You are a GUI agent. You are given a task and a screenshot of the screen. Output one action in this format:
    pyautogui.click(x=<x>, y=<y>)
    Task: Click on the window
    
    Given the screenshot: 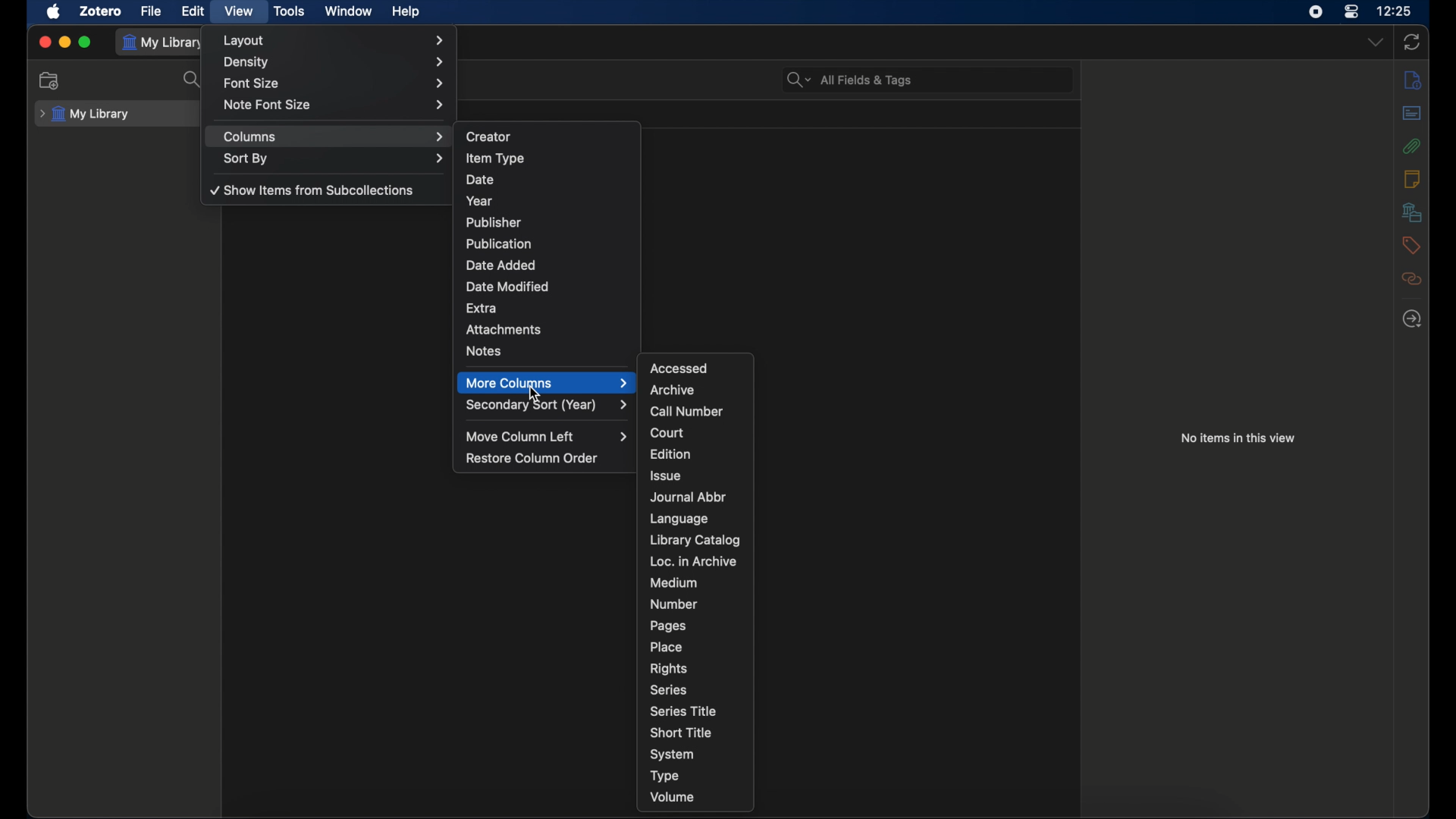 What is the action you would take?
    pyautogui.click(x=349, y=11)
    